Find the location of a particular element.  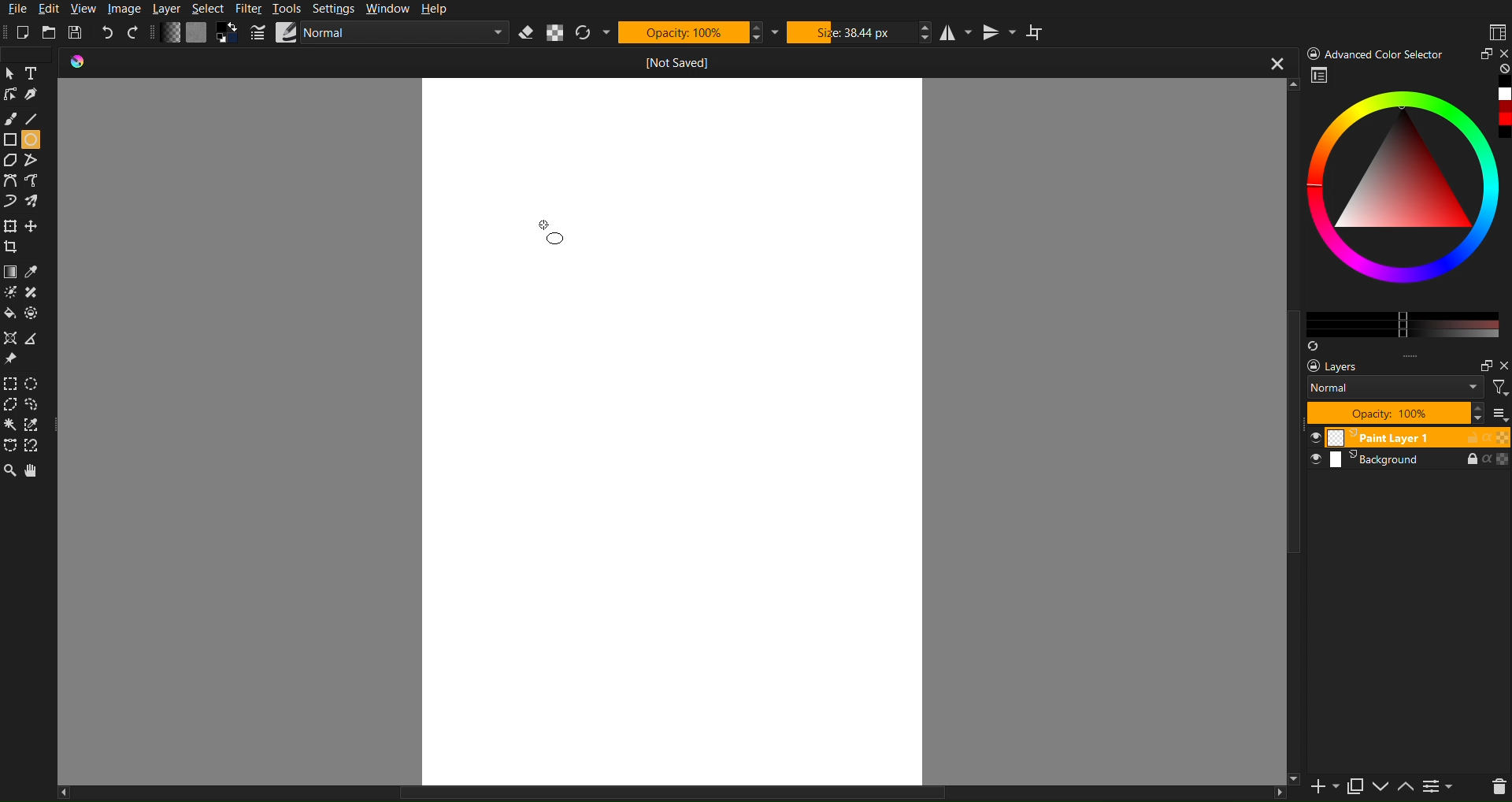

Redo is located at coordinates (134, 32).